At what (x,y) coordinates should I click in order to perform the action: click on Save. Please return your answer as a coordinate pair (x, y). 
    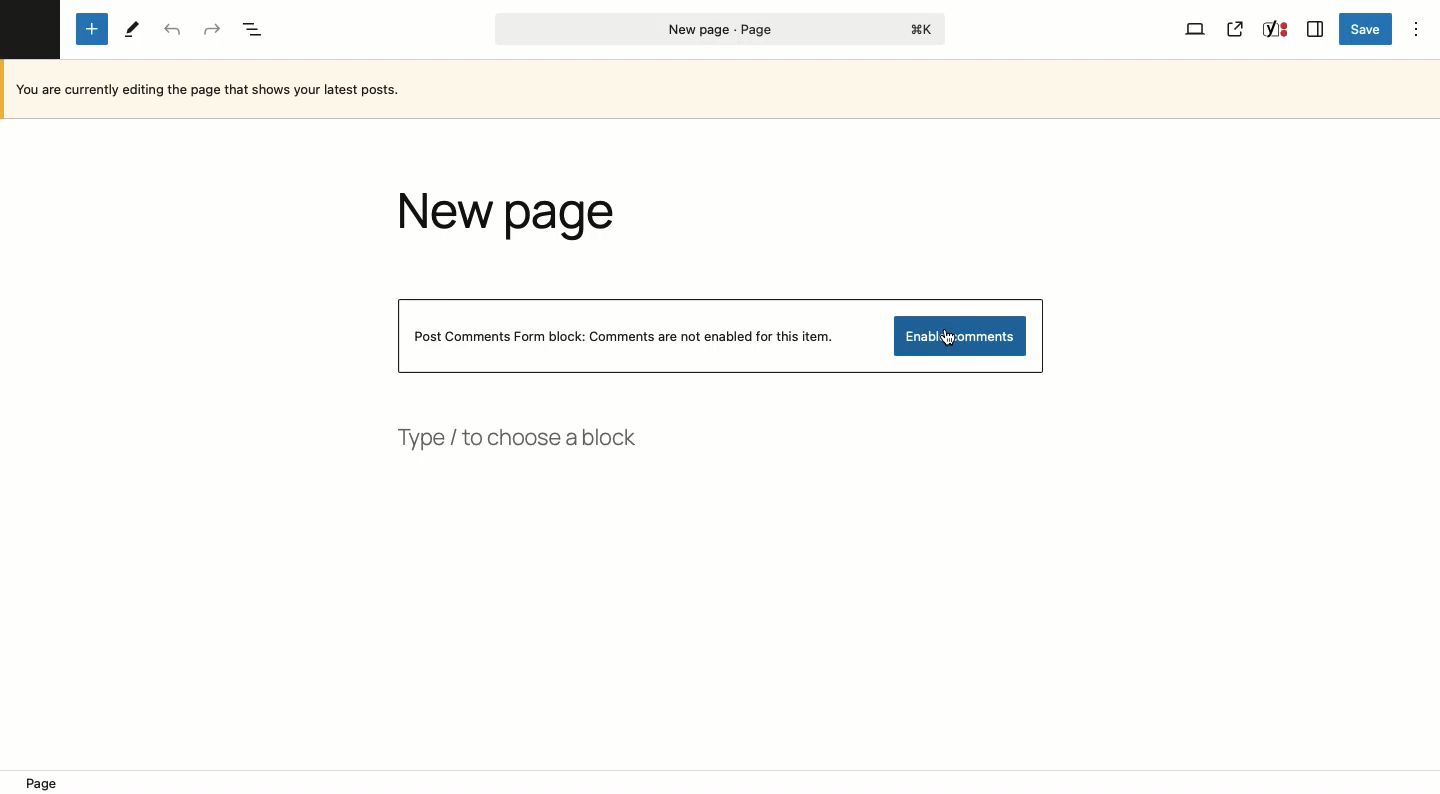
    Looking at the image, I should click on (1365, 29).